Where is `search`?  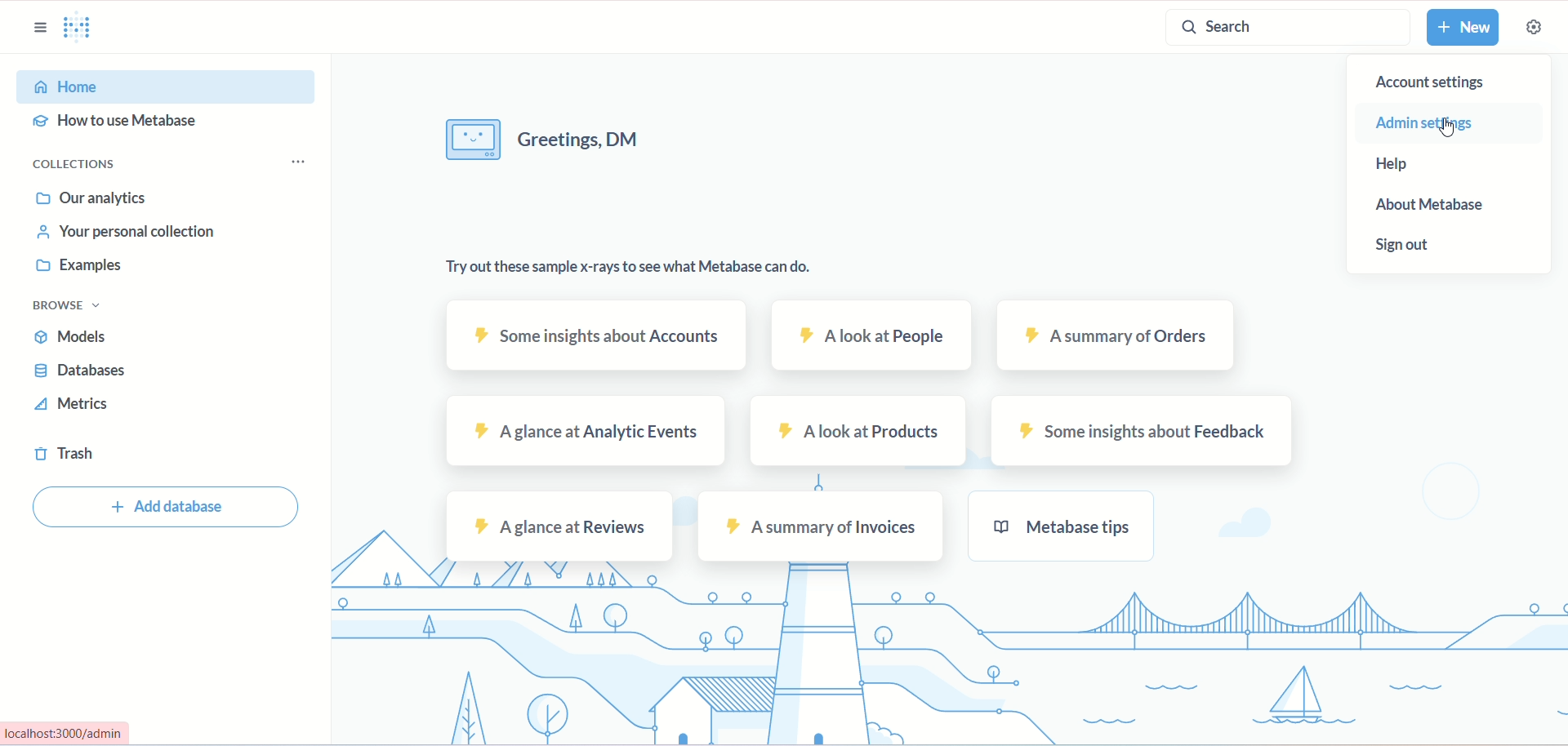
search is located at coordinates (1285, 25).